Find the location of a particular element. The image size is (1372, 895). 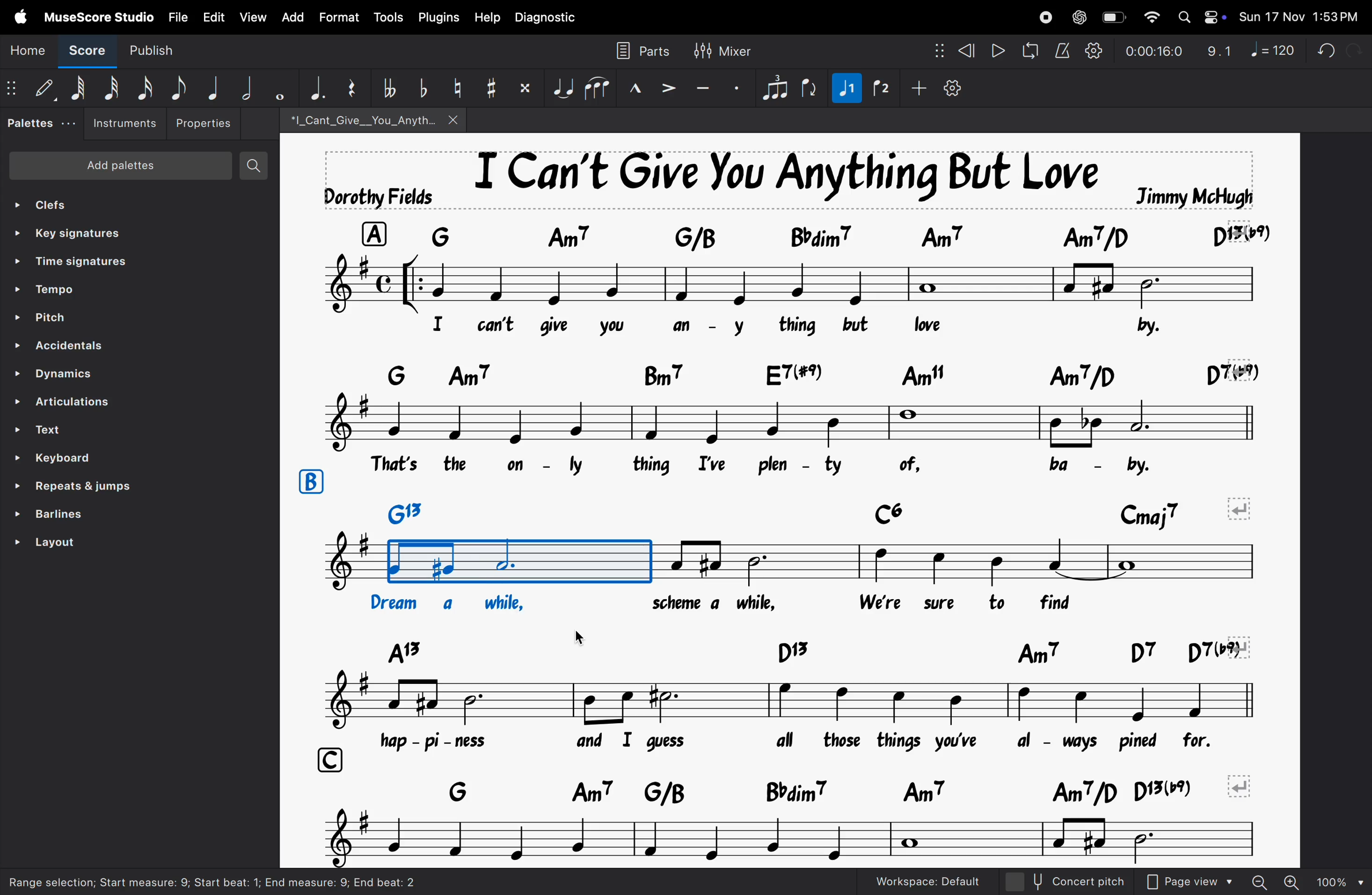

Dynamics is located at coordinates (61, 373).